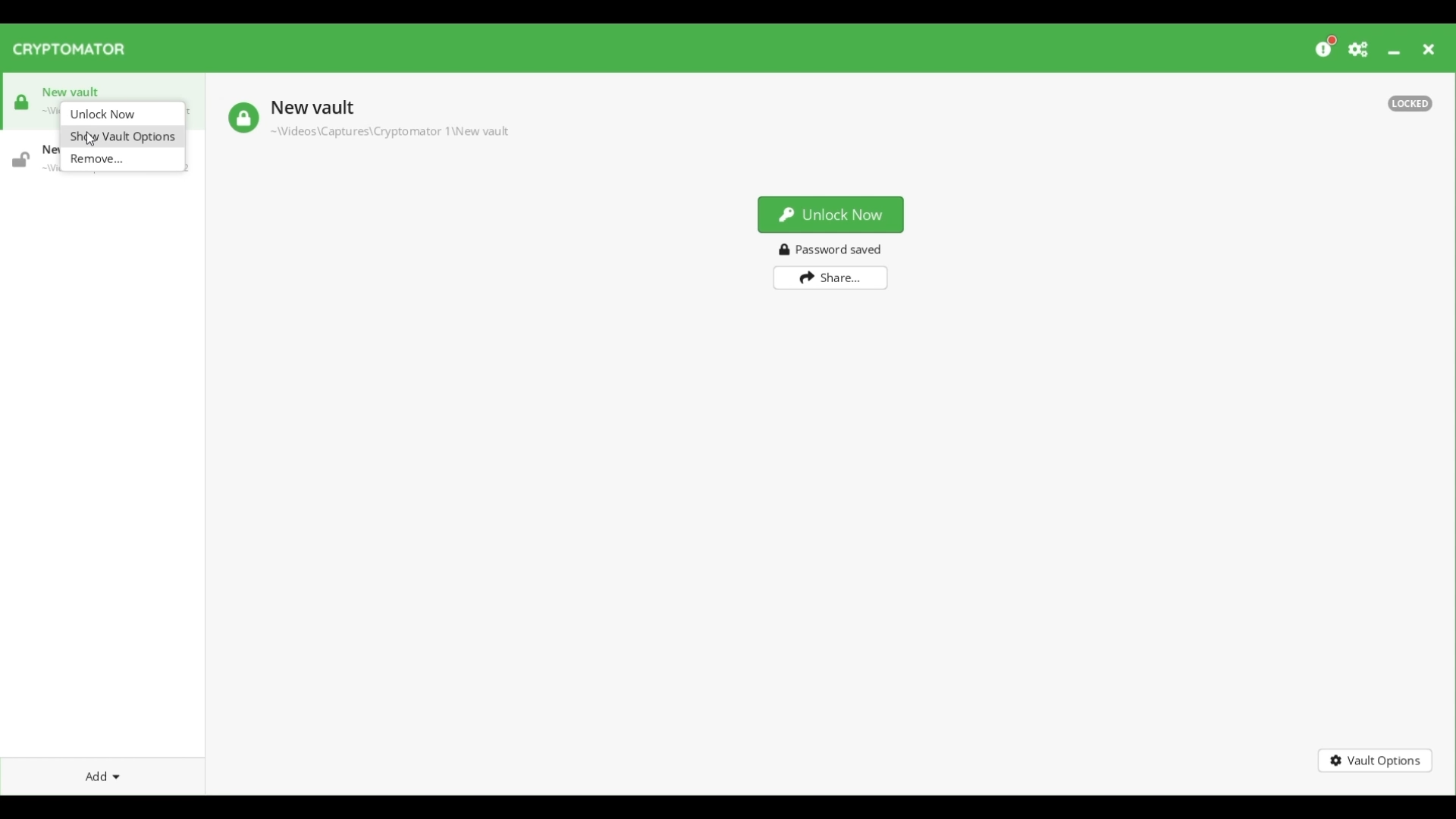 The width and height of the screenshot is (1456, 819). I want to click on Vault options, so click(1376, 761).